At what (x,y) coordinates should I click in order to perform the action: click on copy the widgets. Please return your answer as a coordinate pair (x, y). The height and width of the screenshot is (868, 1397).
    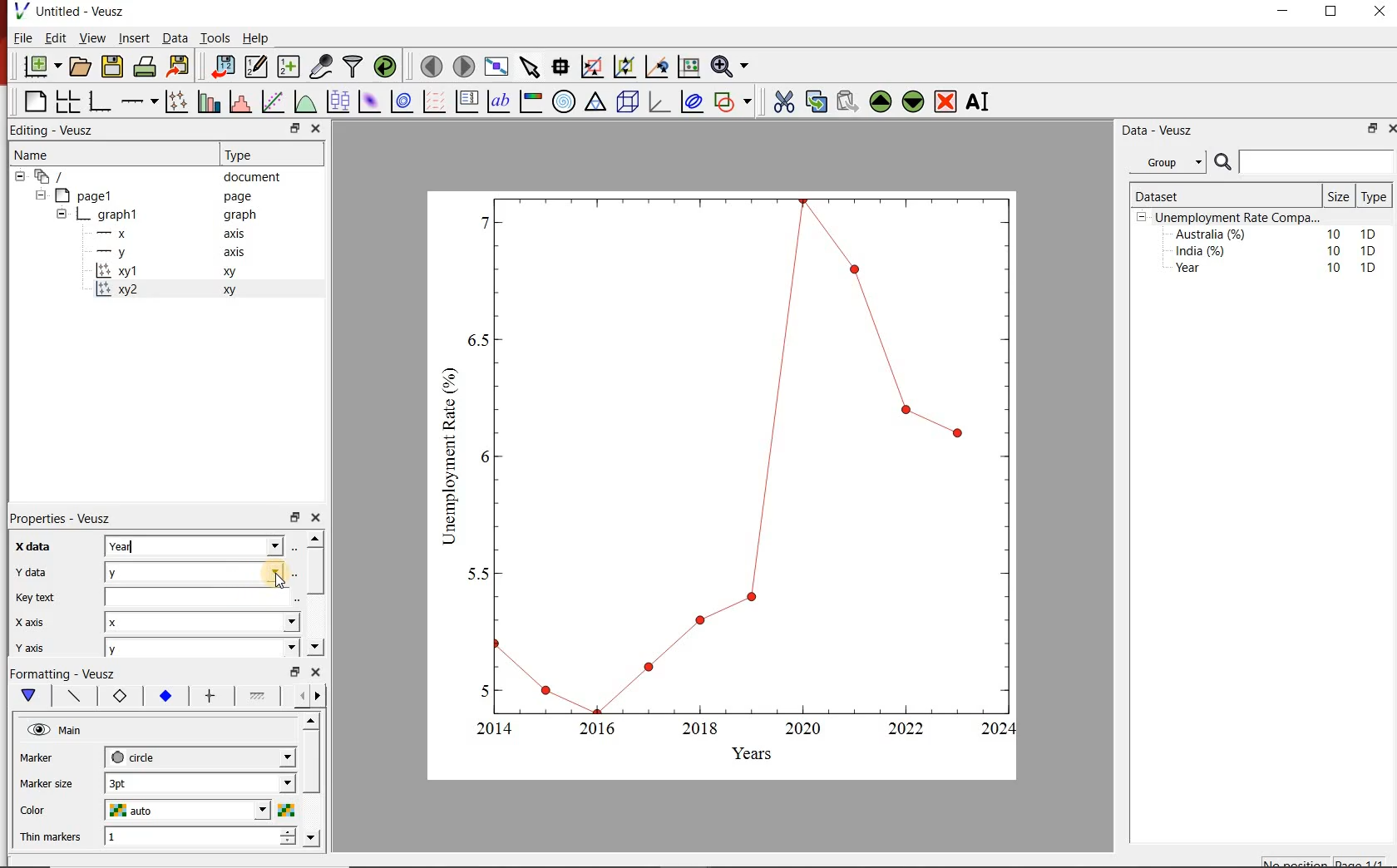
    Looking at the image, I should click on (815, 101).